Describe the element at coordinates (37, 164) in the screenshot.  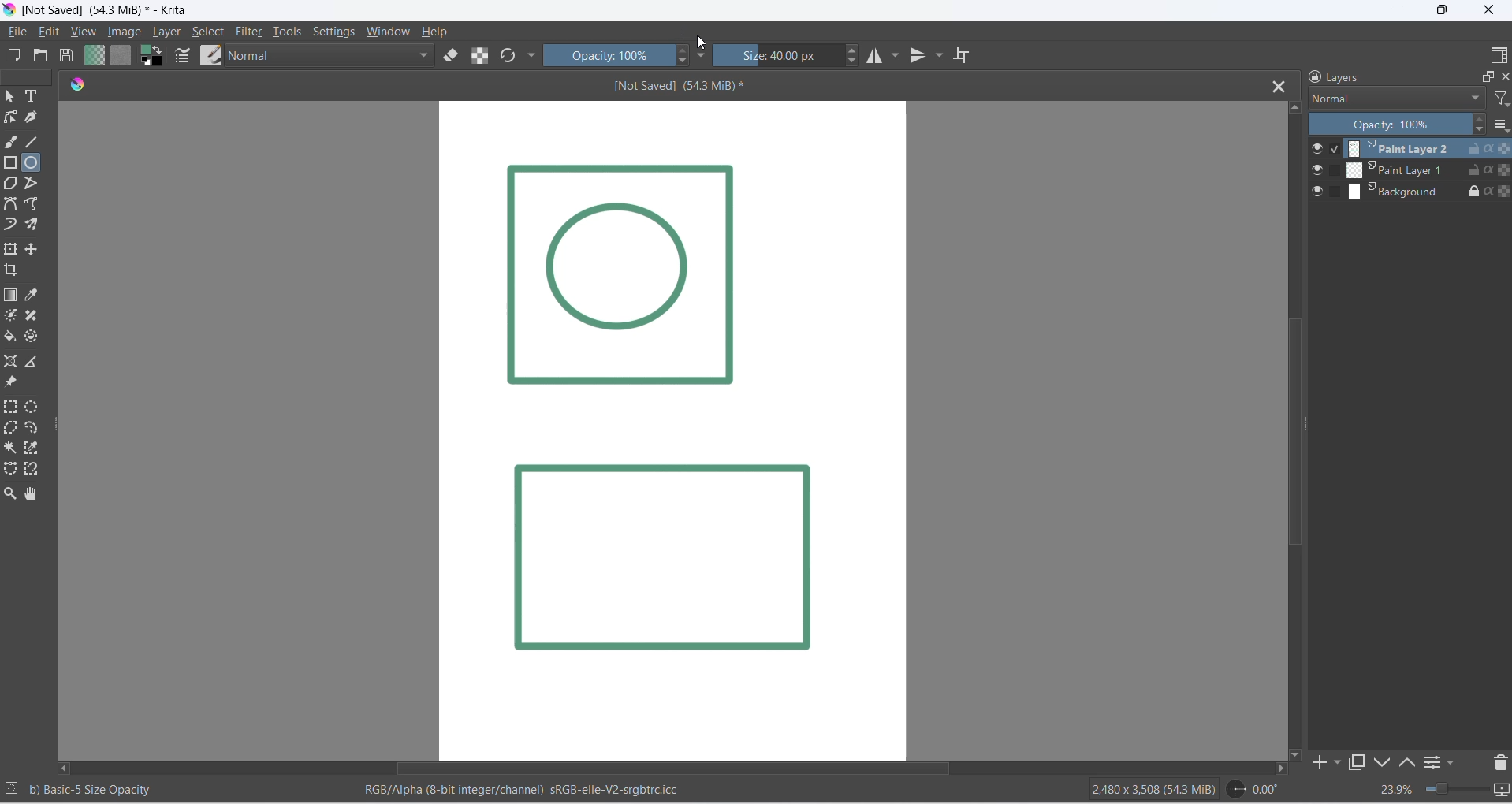
I see `ellipse tool` at that location.